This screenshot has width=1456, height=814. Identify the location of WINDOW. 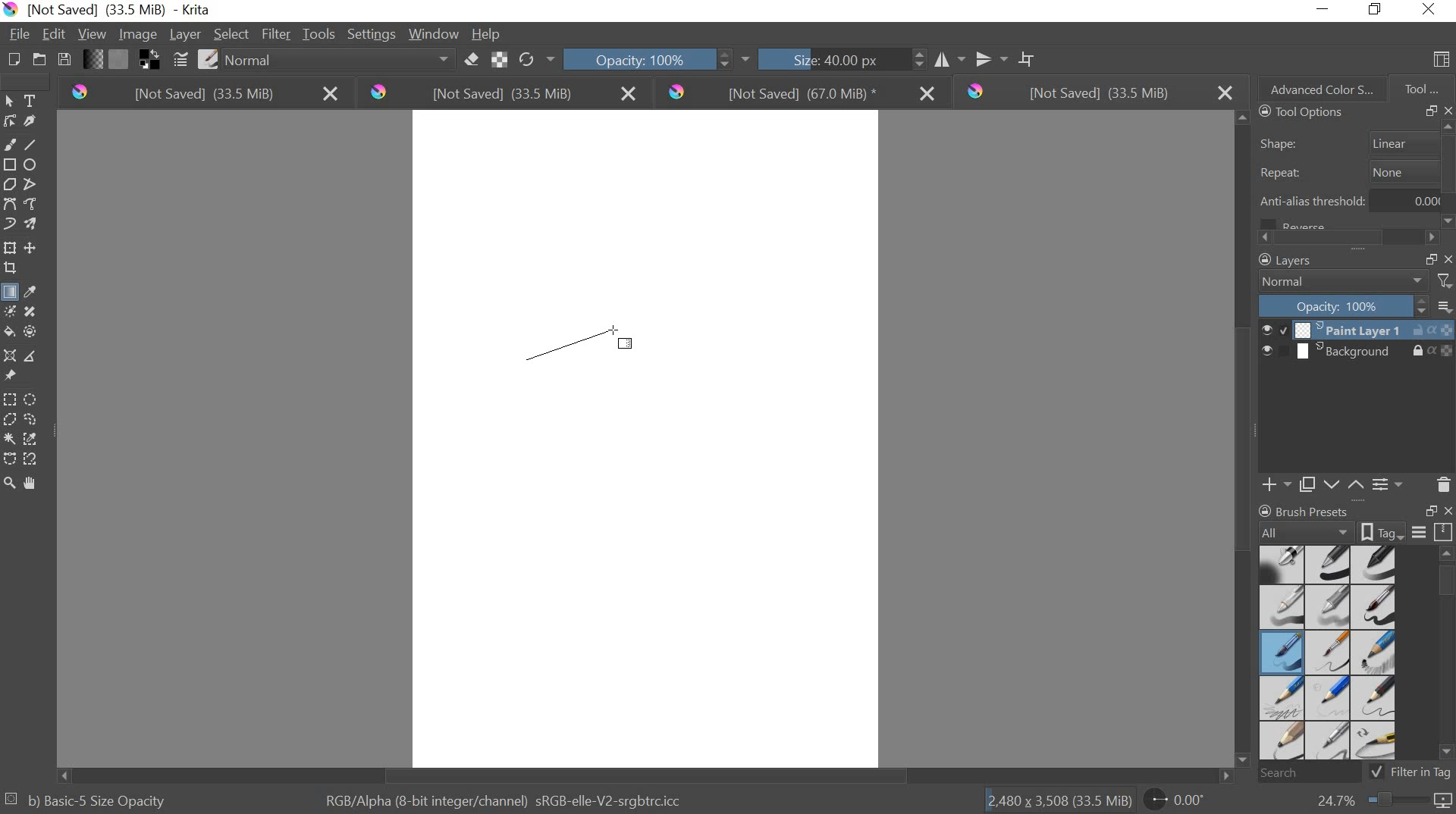
(433, 35).